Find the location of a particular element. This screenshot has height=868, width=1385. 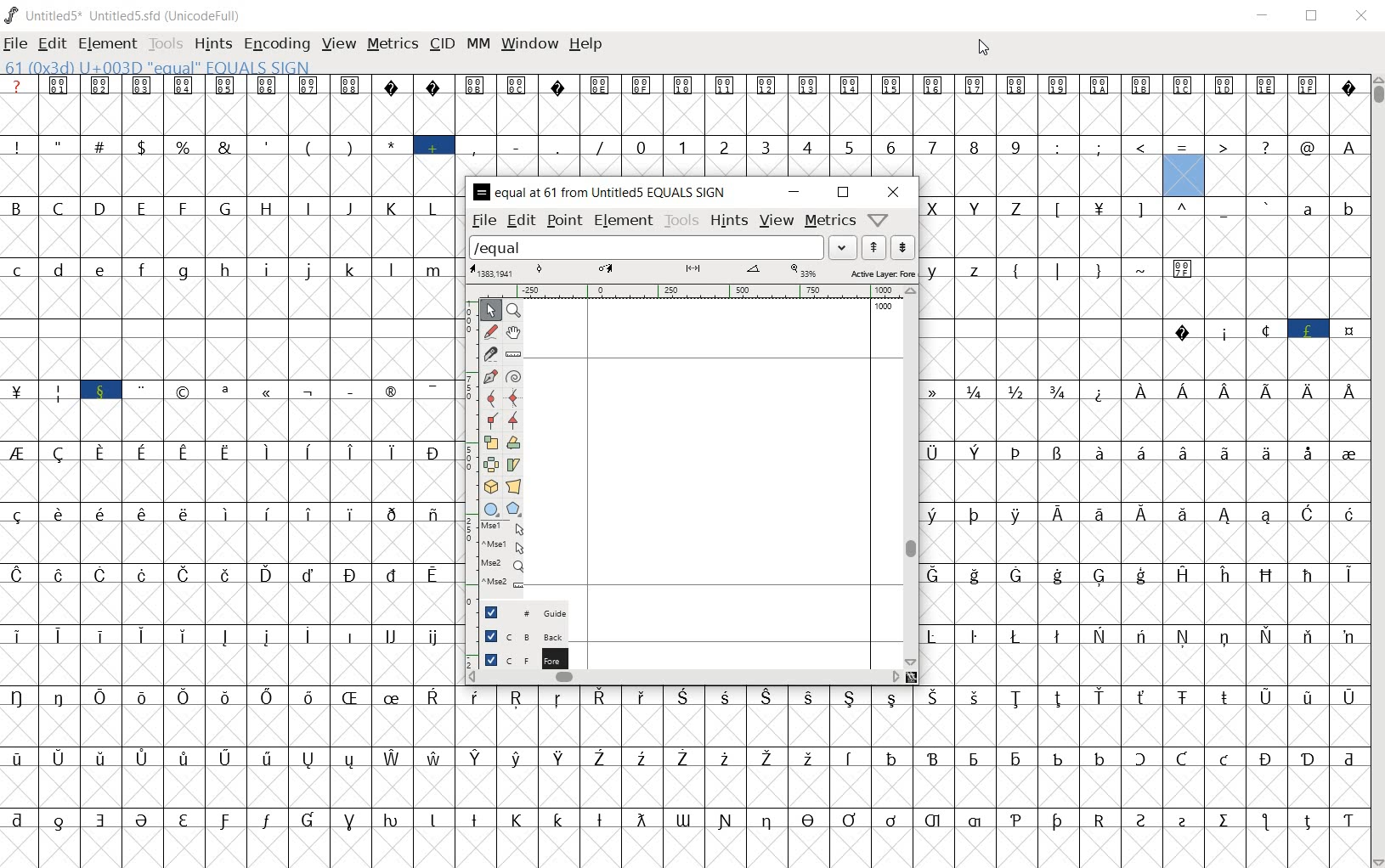

EQUAL AT 61 FROM UNTITLED5 EQUAL SIGN is located at coordinates (601, 192).